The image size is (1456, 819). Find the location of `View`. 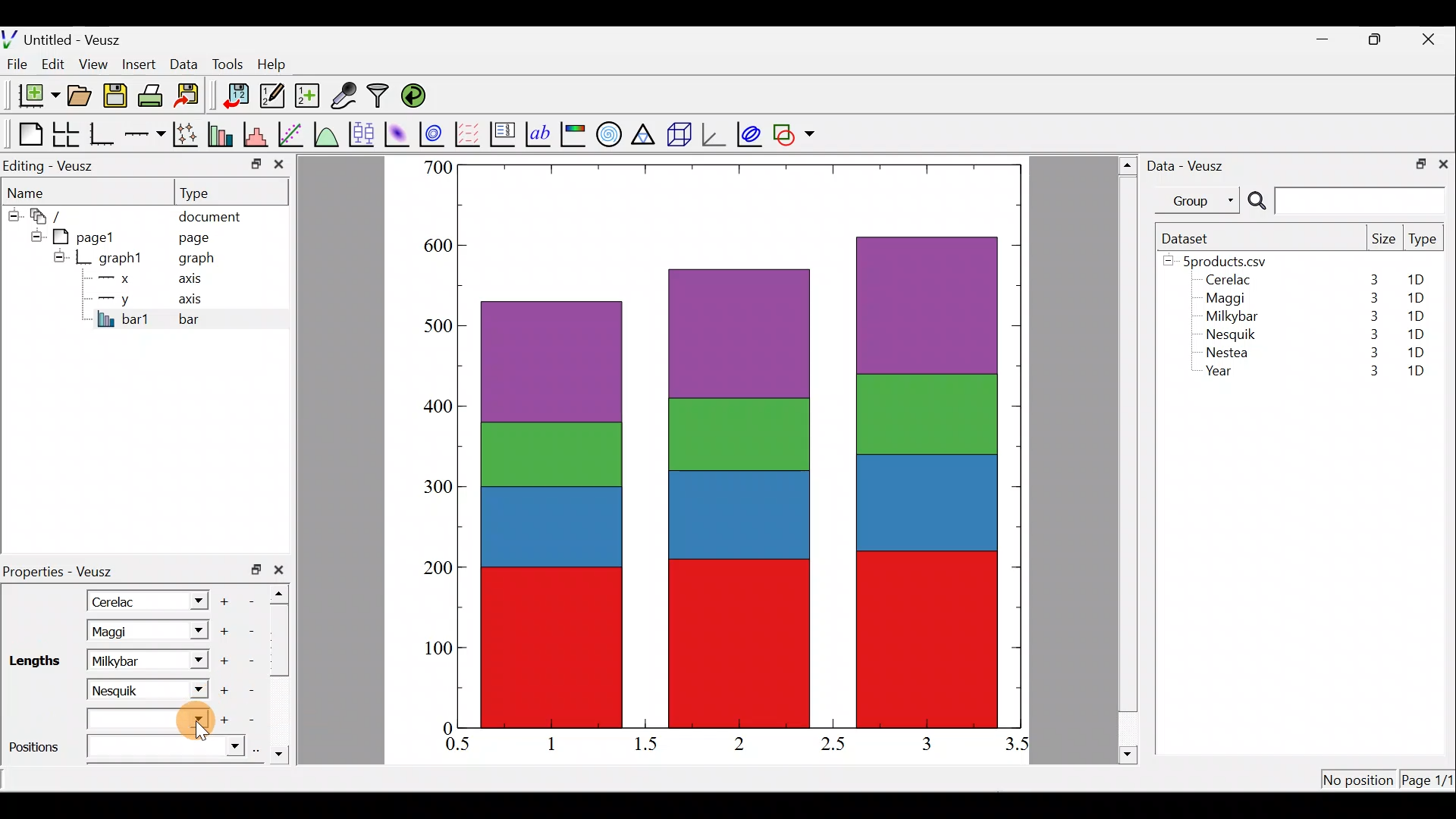

View is located at coordinates (96, 61).